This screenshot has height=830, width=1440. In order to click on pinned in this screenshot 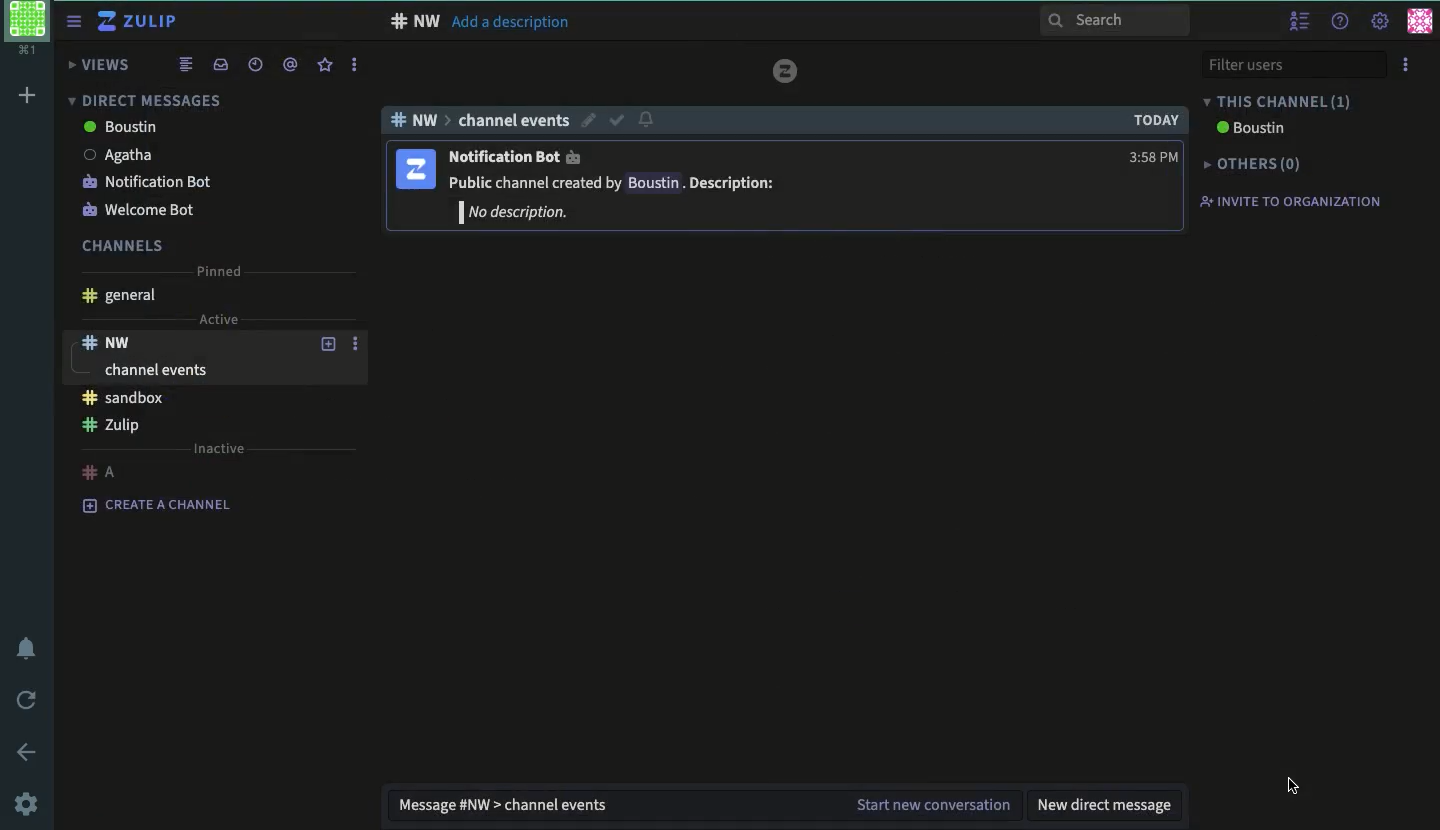, I will do `click(219, 273)`.